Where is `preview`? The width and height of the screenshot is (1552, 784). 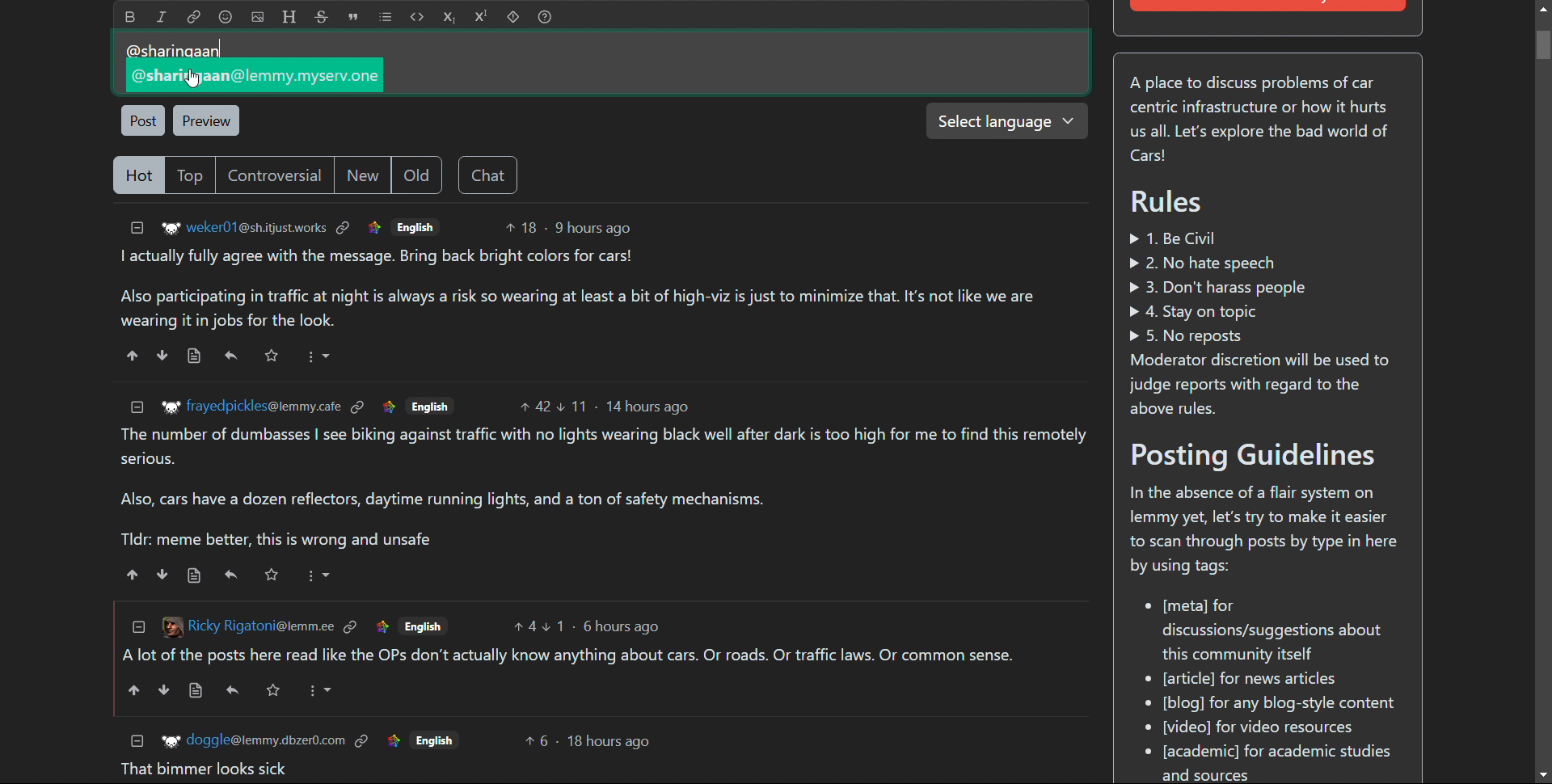
preview is located at coordinates (208, 120).